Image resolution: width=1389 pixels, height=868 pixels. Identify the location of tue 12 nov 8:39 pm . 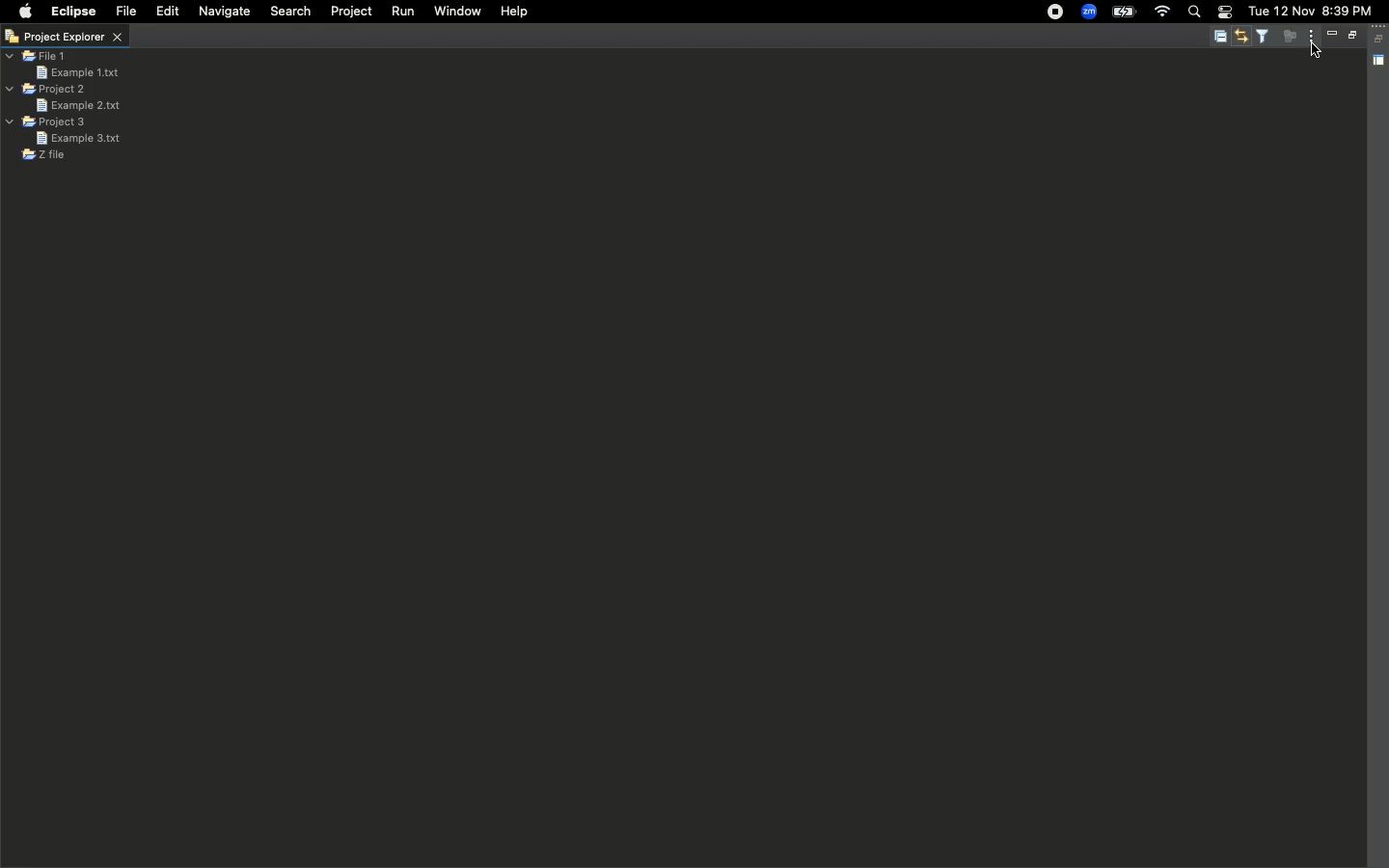
(1313, 11).